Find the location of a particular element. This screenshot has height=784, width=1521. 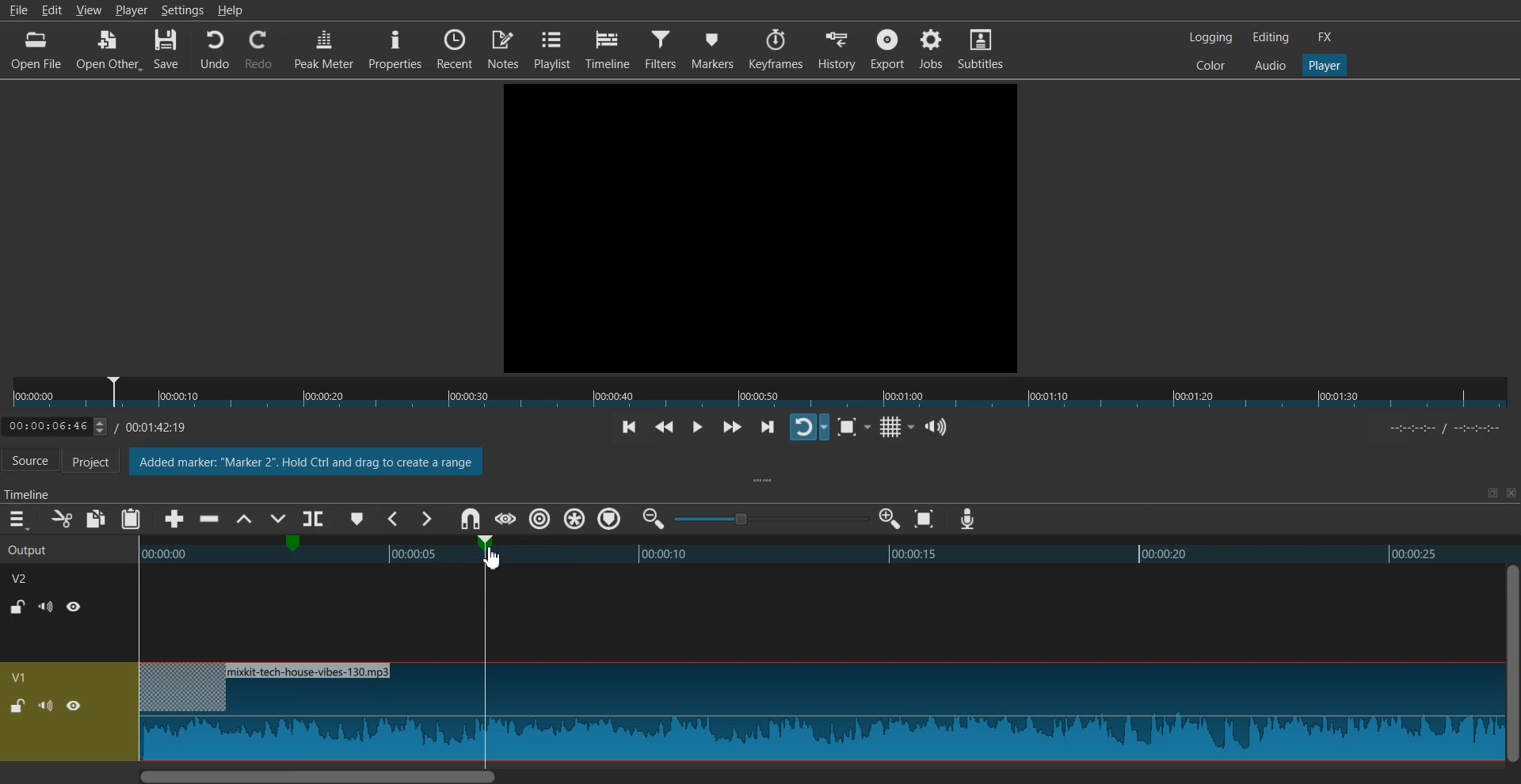

FX is located at coordinates (1325, 37).